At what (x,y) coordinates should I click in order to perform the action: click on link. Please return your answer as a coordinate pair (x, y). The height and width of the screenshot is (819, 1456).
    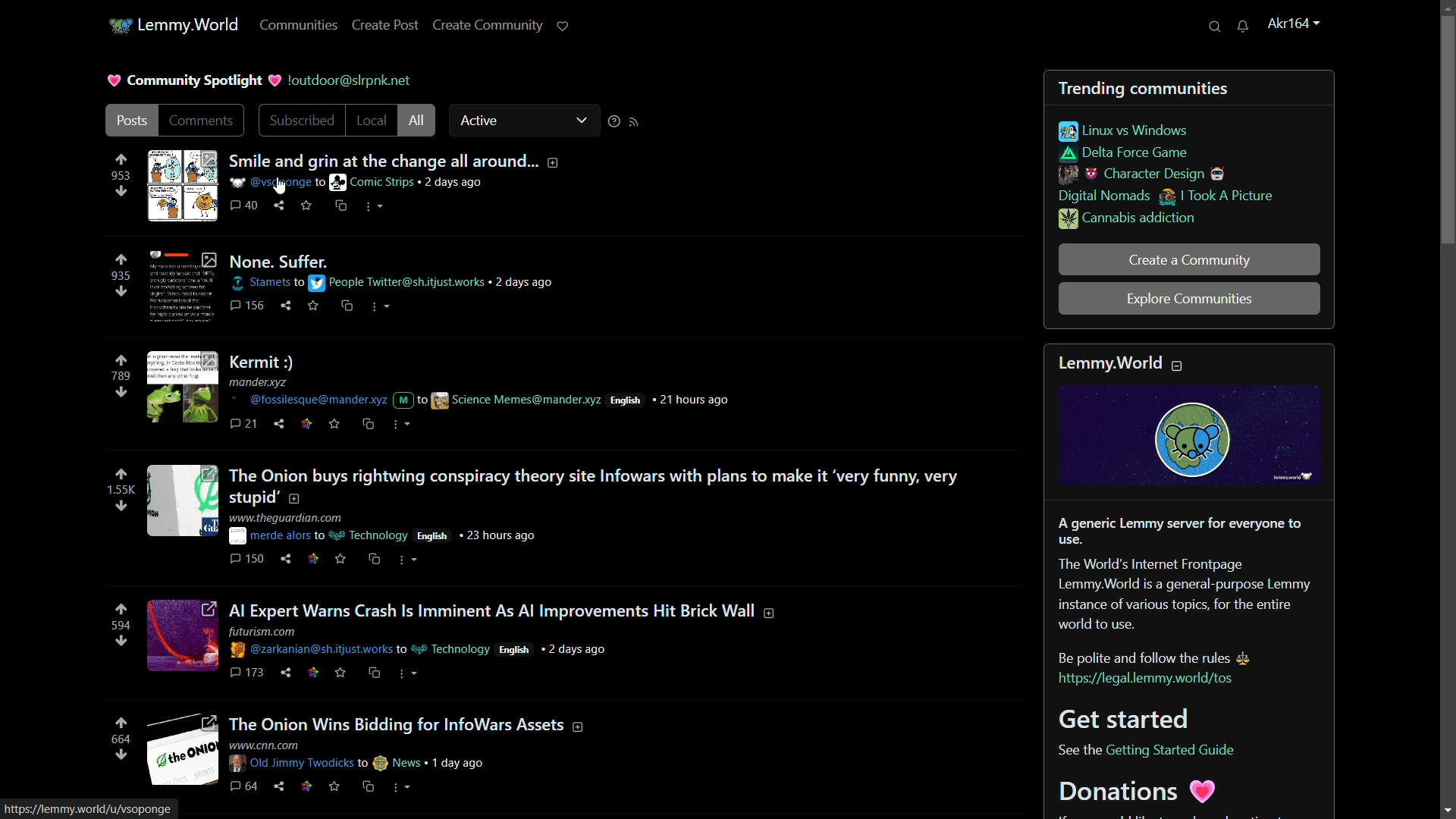
    Looking at the image, I should click on (317, 558).